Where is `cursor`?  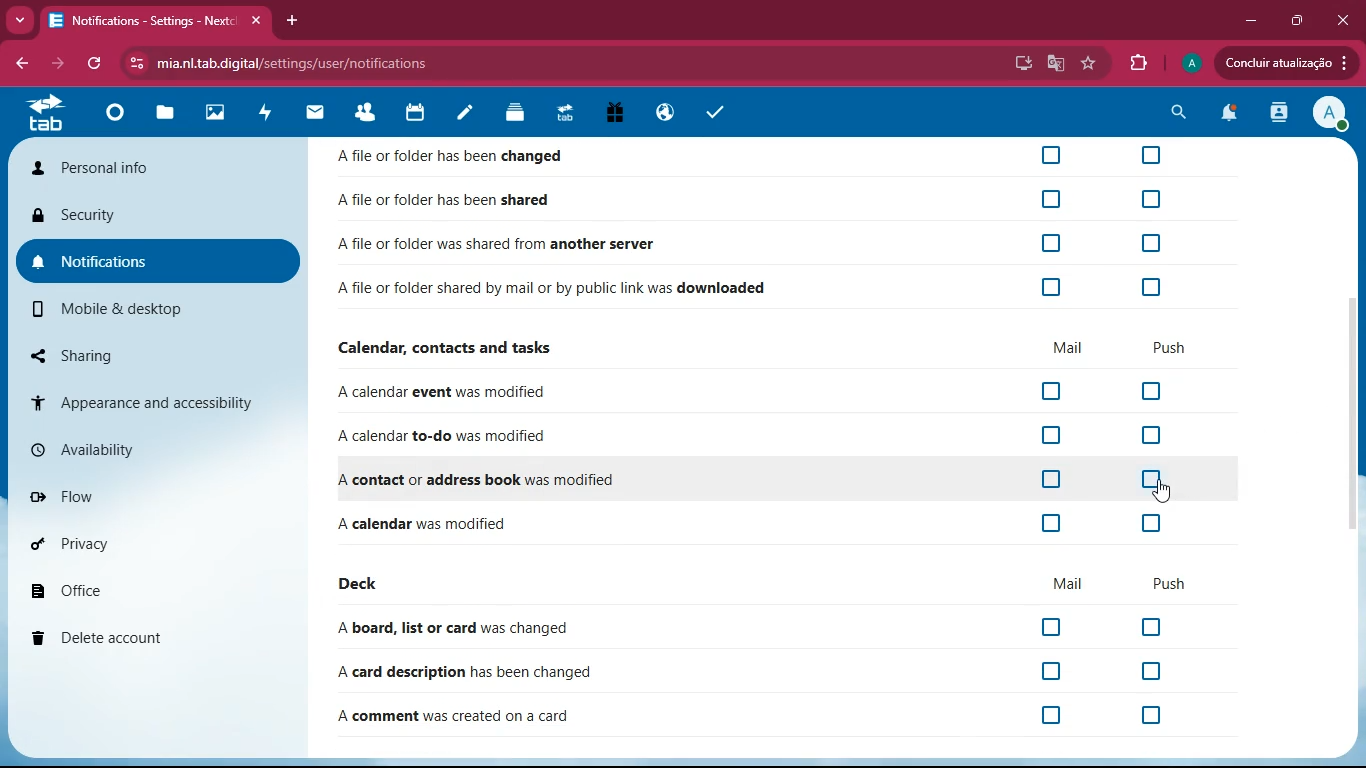
cursor is located at coordinates (1163, 492).